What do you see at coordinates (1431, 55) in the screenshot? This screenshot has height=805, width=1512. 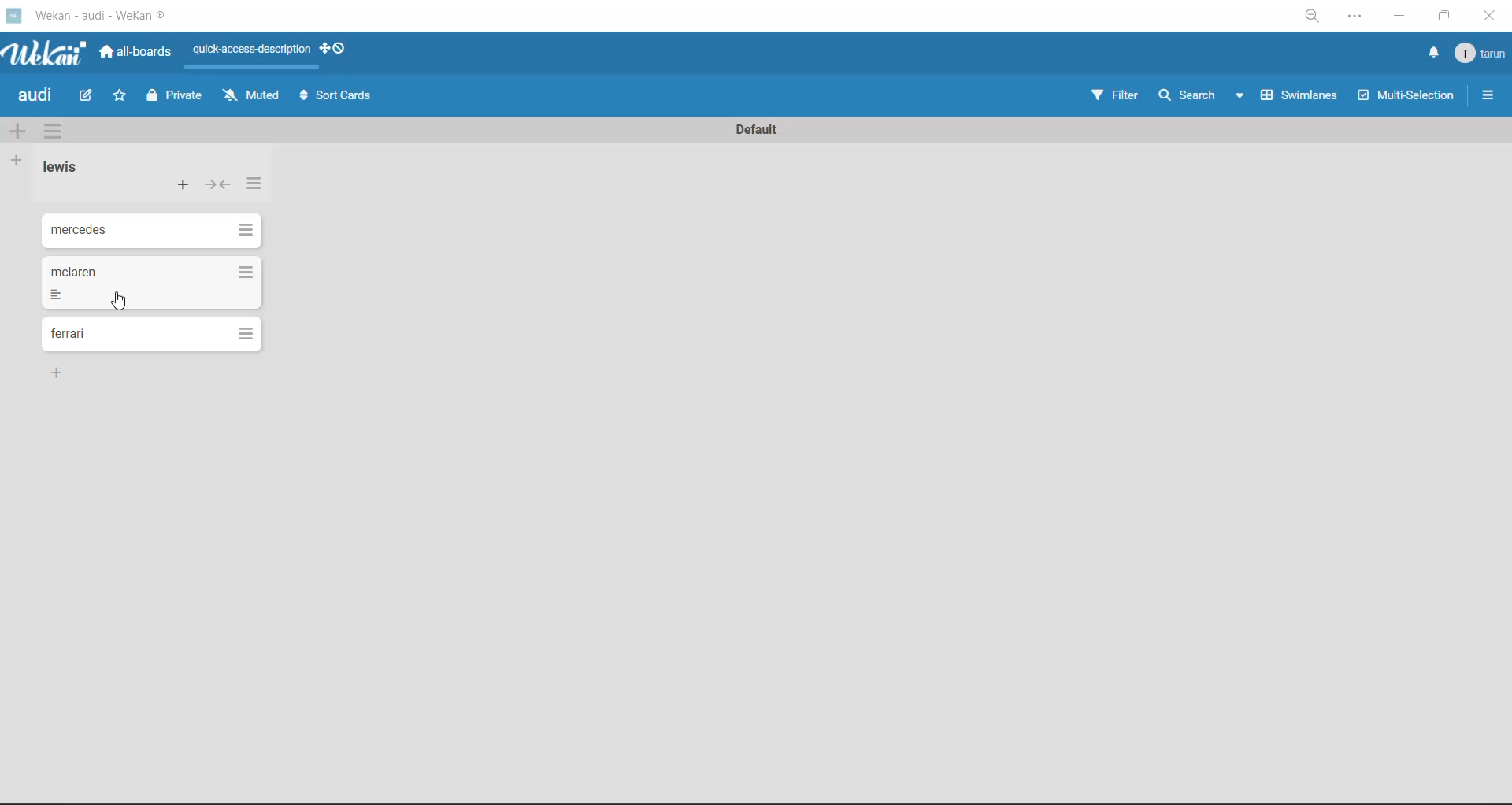 I see `notifications` at bounding box center [1431, 55].